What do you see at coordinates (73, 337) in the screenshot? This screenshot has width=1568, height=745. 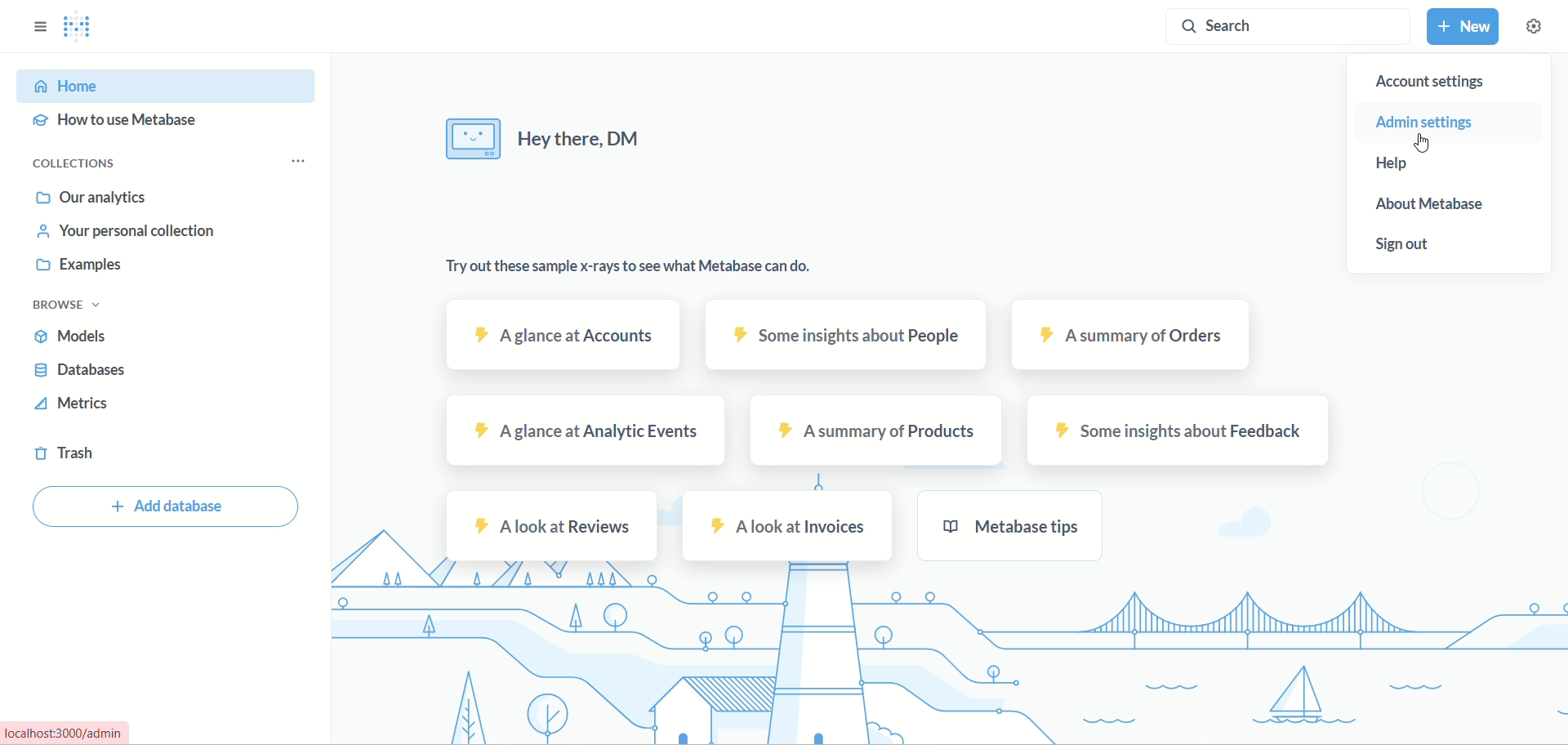 I see `models` at bounding box center [73, 337].